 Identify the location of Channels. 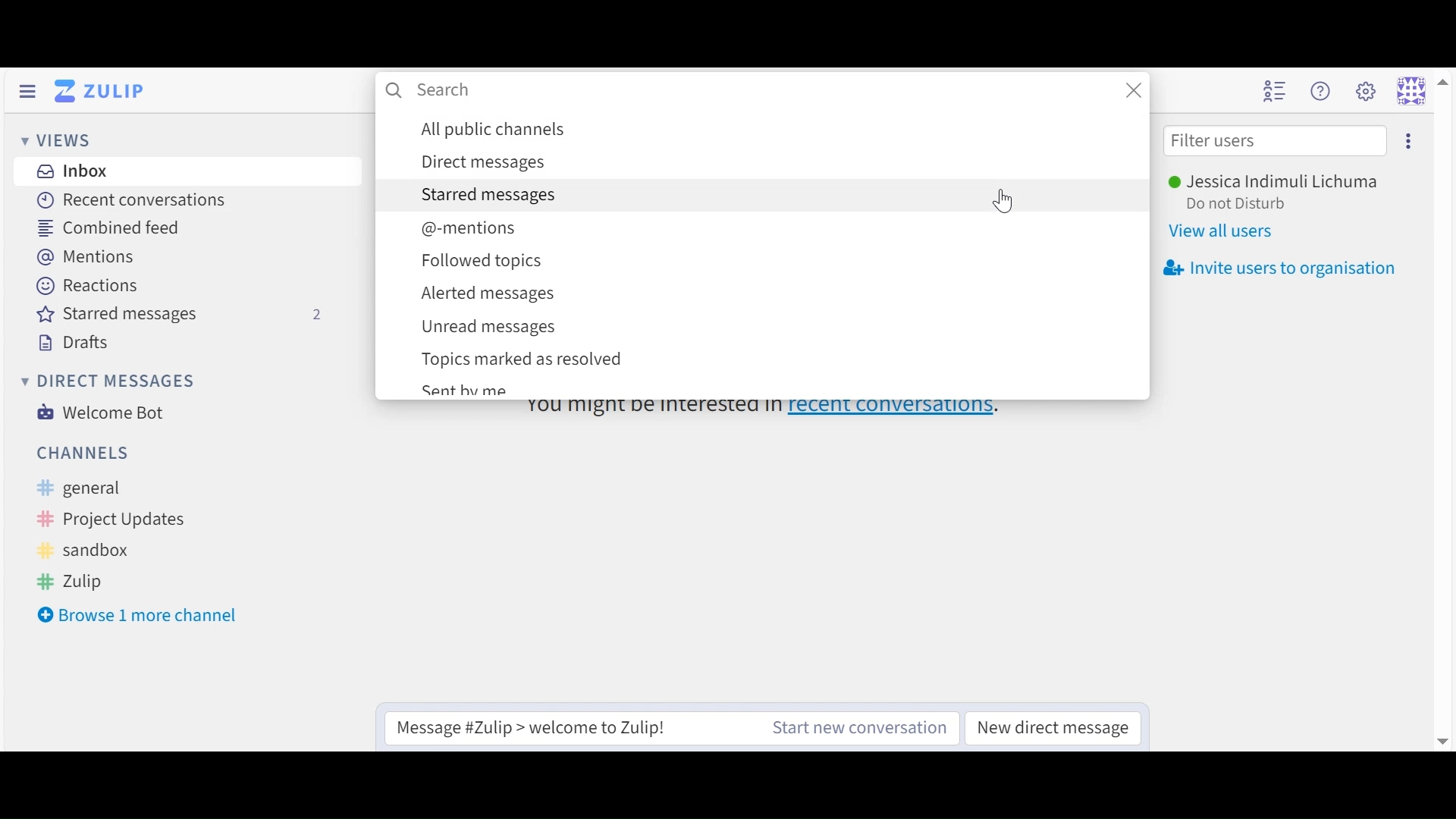
(83, 453).